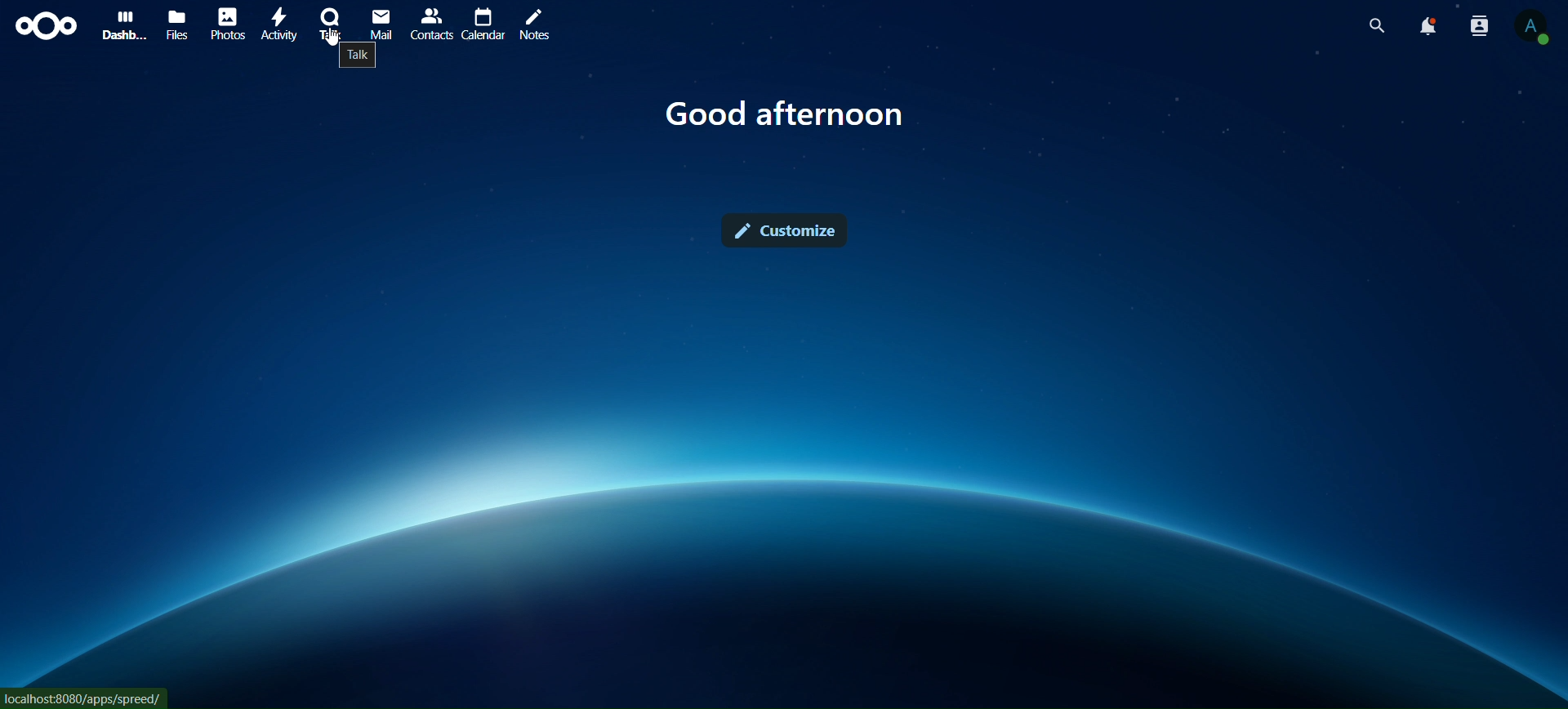 The height and width of the screenshot is (709, 1568). What do you see at coordinates (1479, 25) in the screenshot?
I see `search contacts` at bounding box center [1479, 25].